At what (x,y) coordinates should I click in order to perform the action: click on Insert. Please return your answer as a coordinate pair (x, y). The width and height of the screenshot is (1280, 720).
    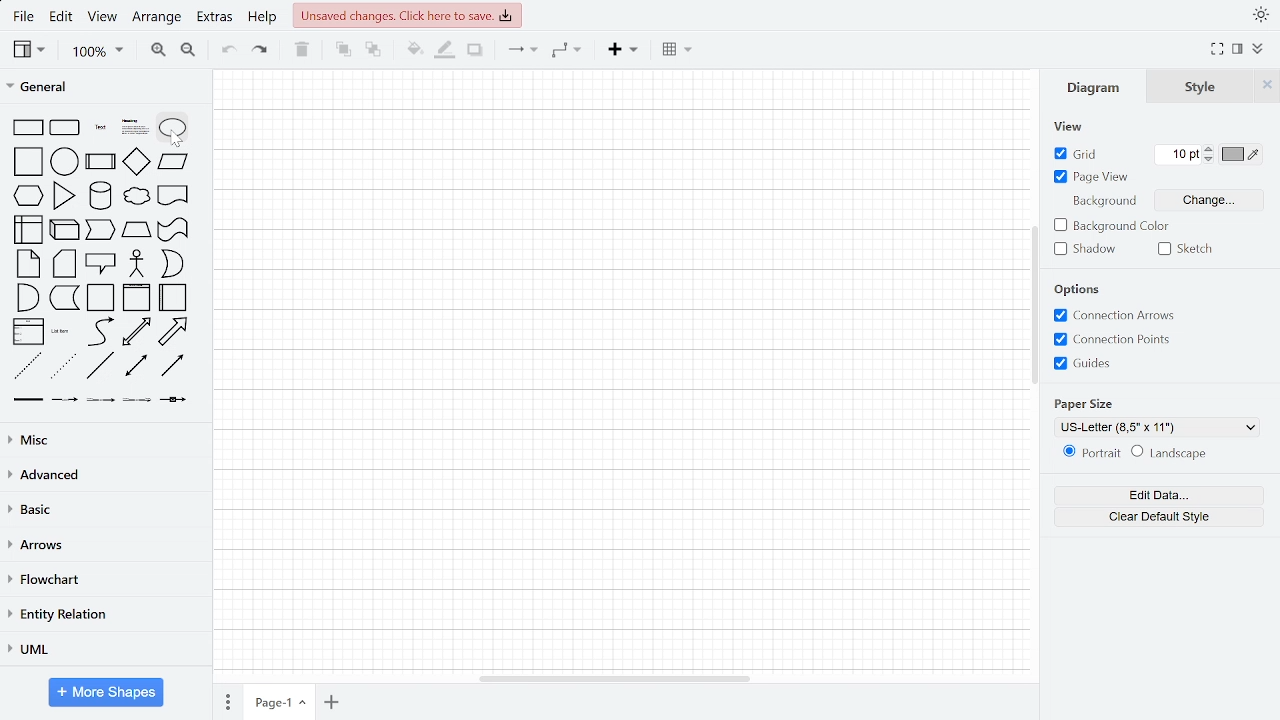
    Looking at the image, I should click on (625, 52).